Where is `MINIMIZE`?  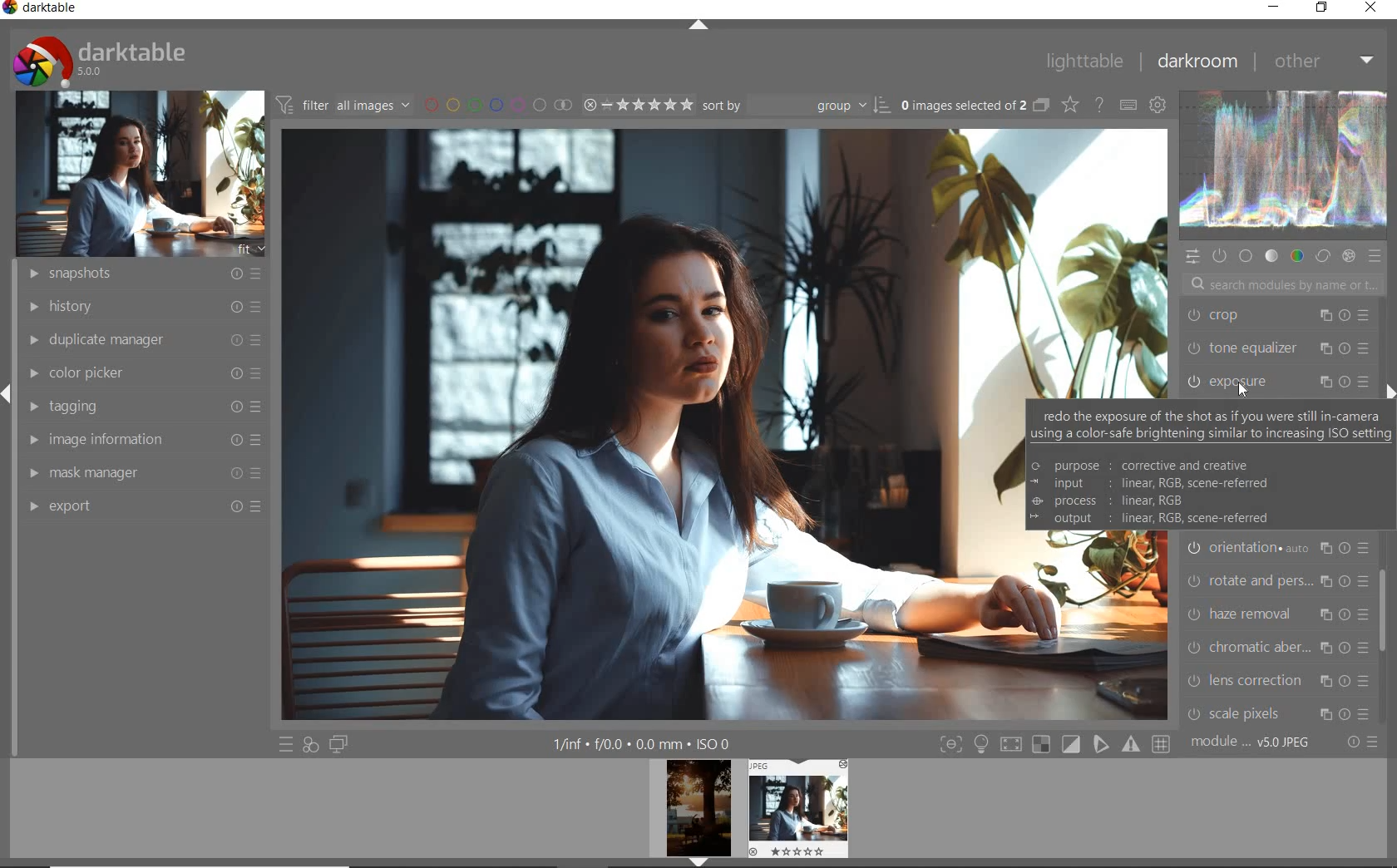 MINIMIZE is located at coordinates (1271, 7).